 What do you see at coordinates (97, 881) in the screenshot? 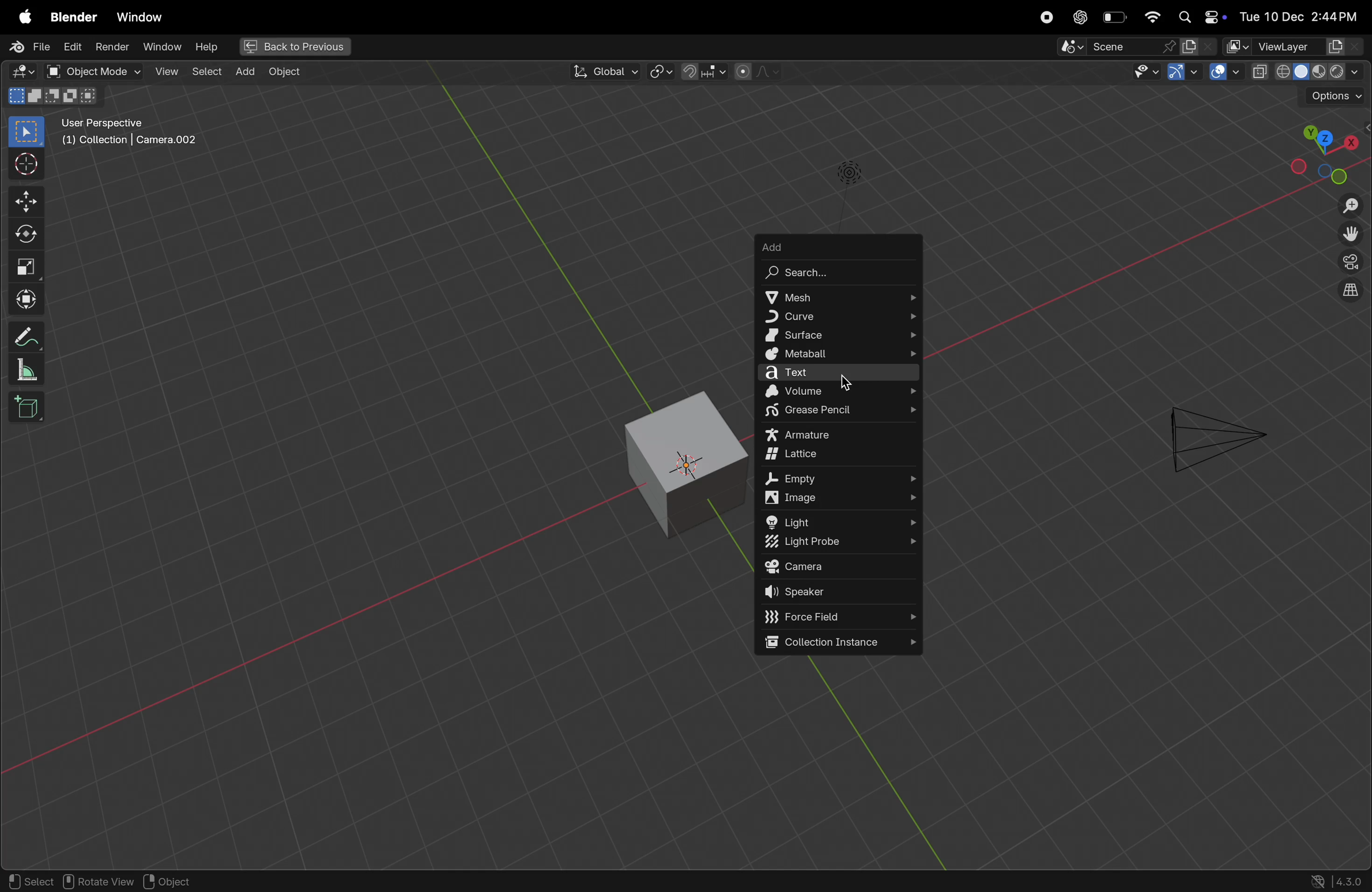
I see `Pan view` at bounding box center [97, 881].